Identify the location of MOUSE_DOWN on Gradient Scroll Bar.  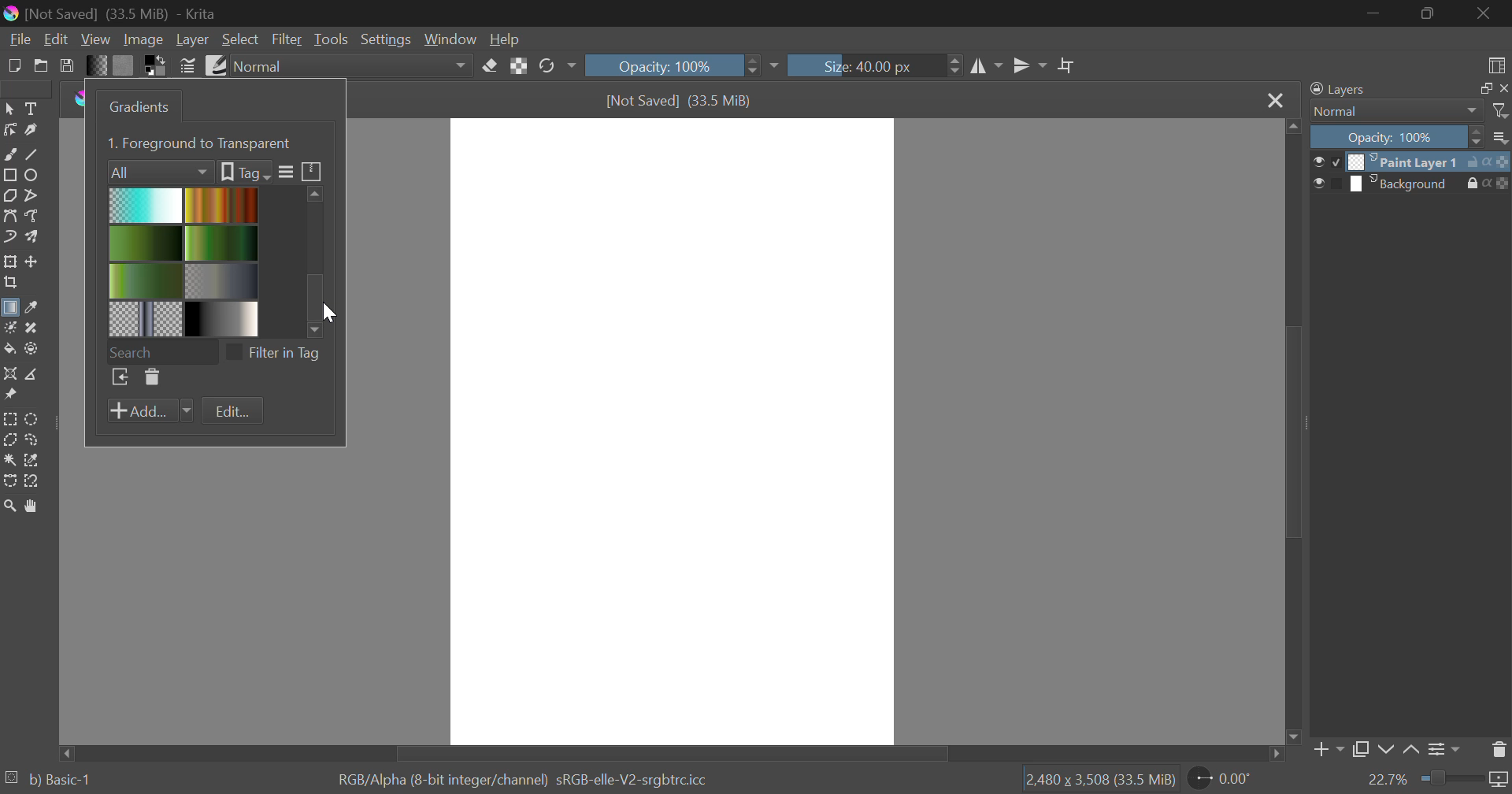
(321, 258).